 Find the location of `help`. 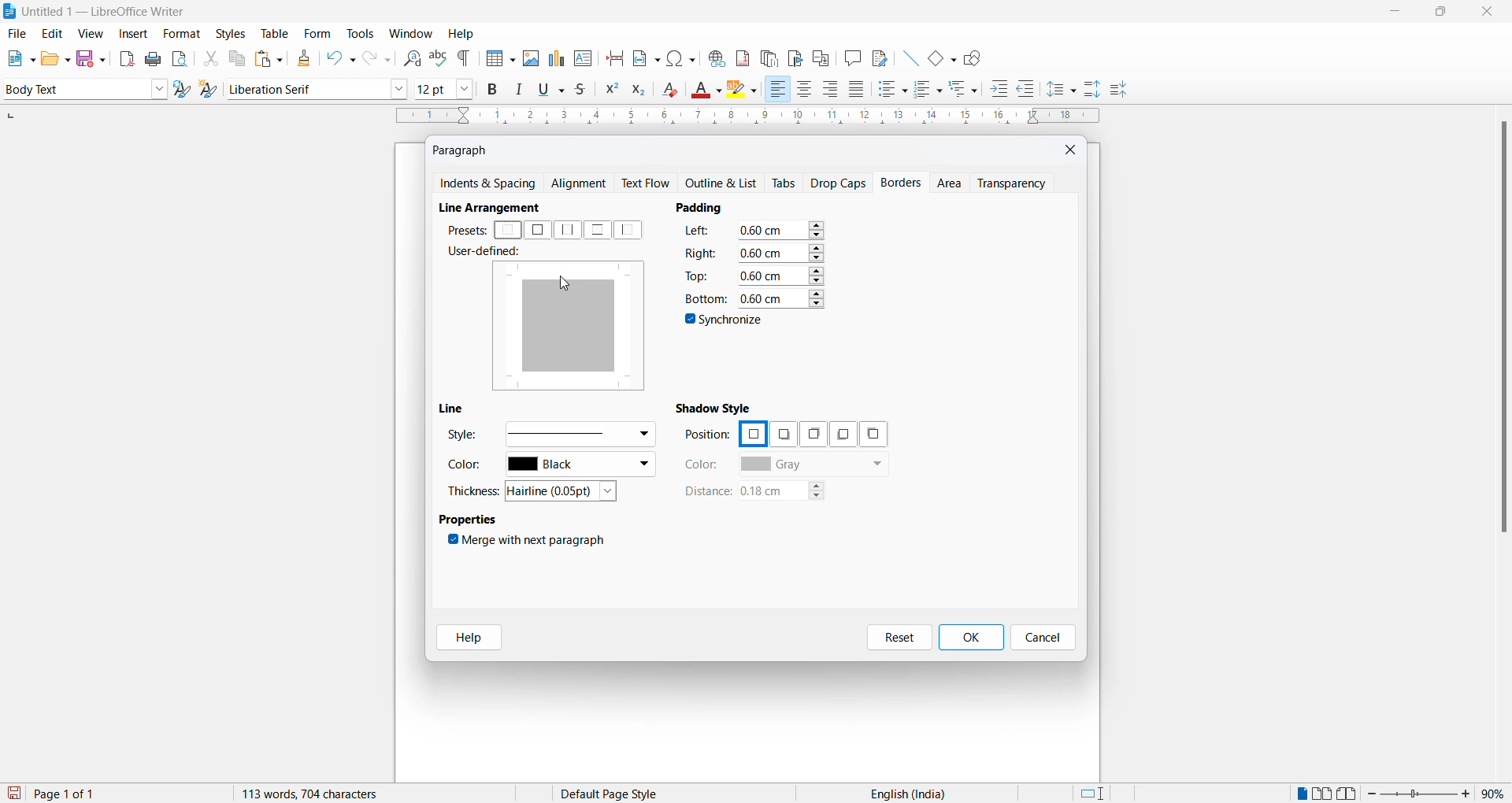

help is located at coordinates (461, 34).